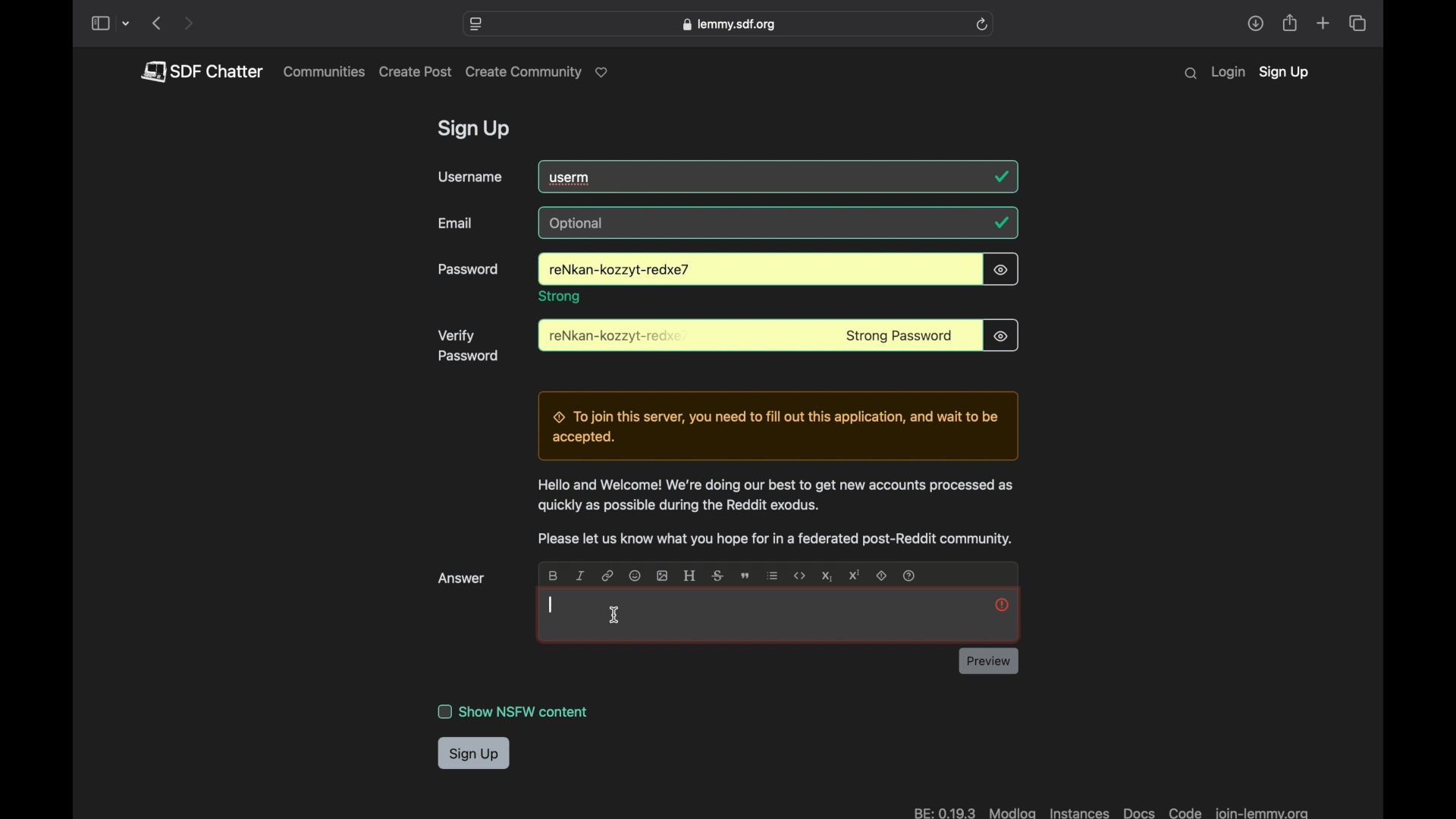 This screenshot has height=819, width=1456. I want to click on password, so click(617, 337).